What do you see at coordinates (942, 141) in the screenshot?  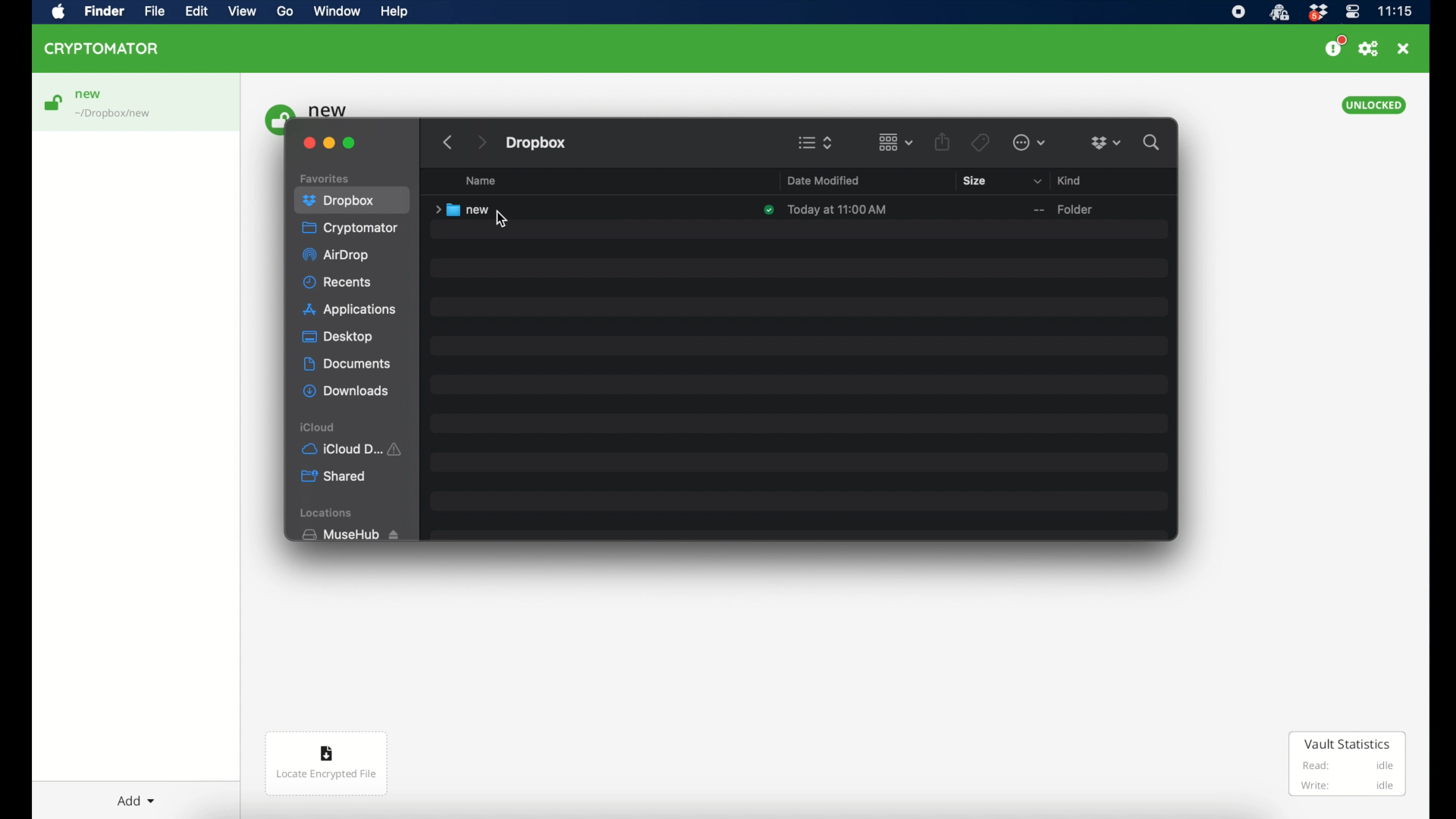 I see `share` at bounding box center [942, 141].